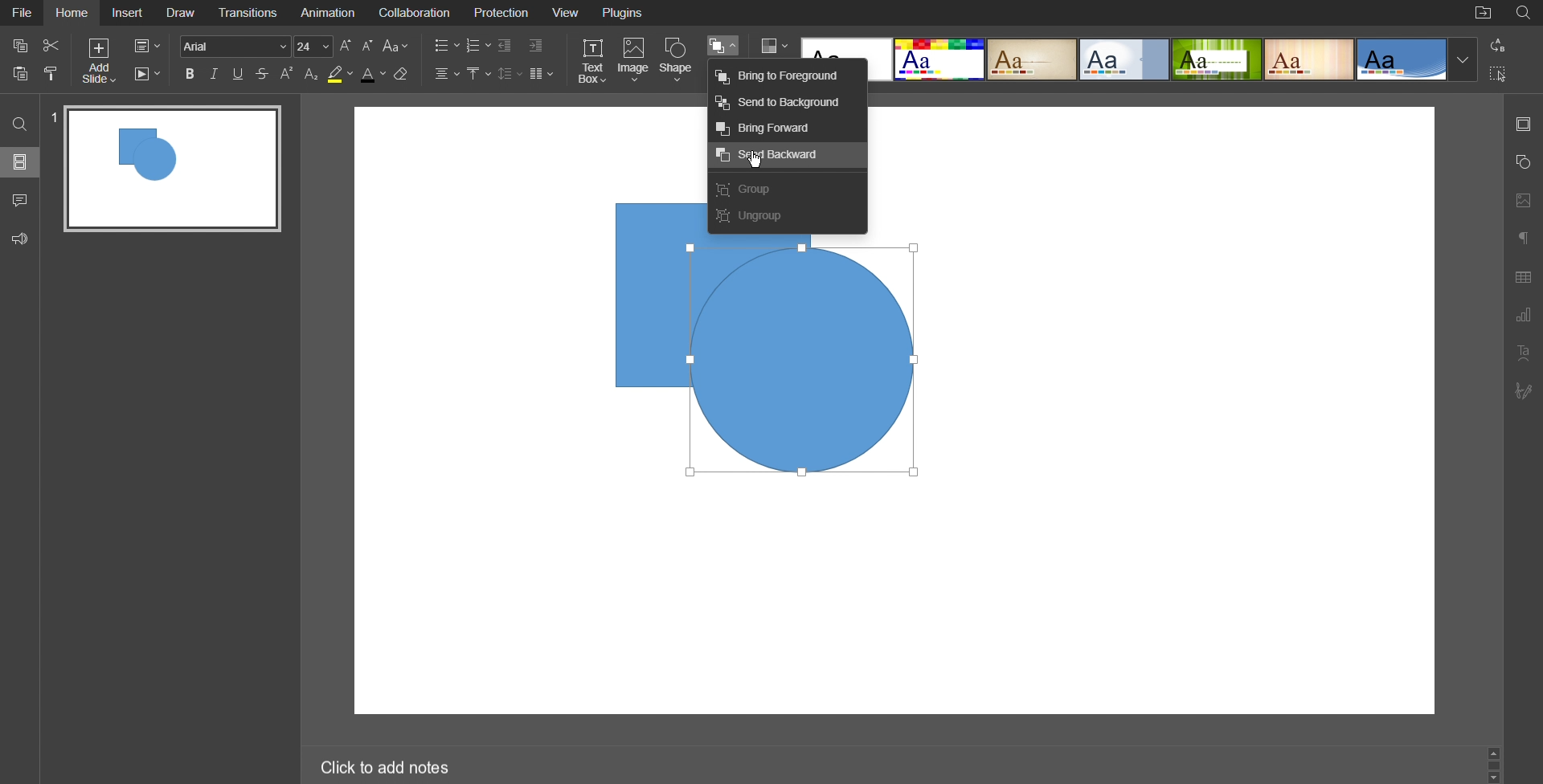 This screenshot has height=784, width=1543. Describe the element at coordinates (788, 189) in the screenshot. I see `Crop` at that location.